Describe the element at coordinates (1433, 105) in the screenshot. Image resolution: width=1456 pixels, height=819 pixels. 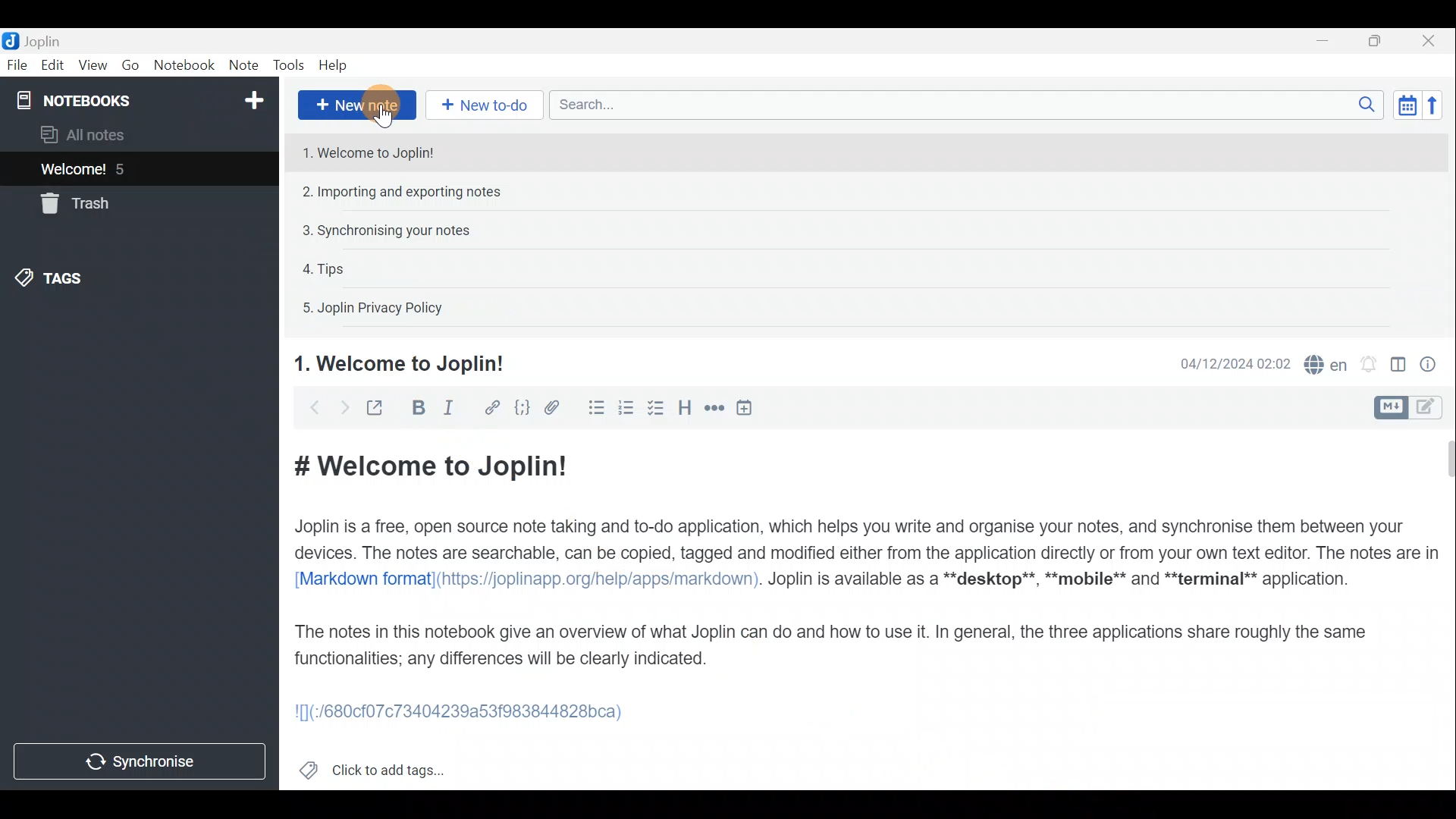
I see `Reverse sort order` at that location.